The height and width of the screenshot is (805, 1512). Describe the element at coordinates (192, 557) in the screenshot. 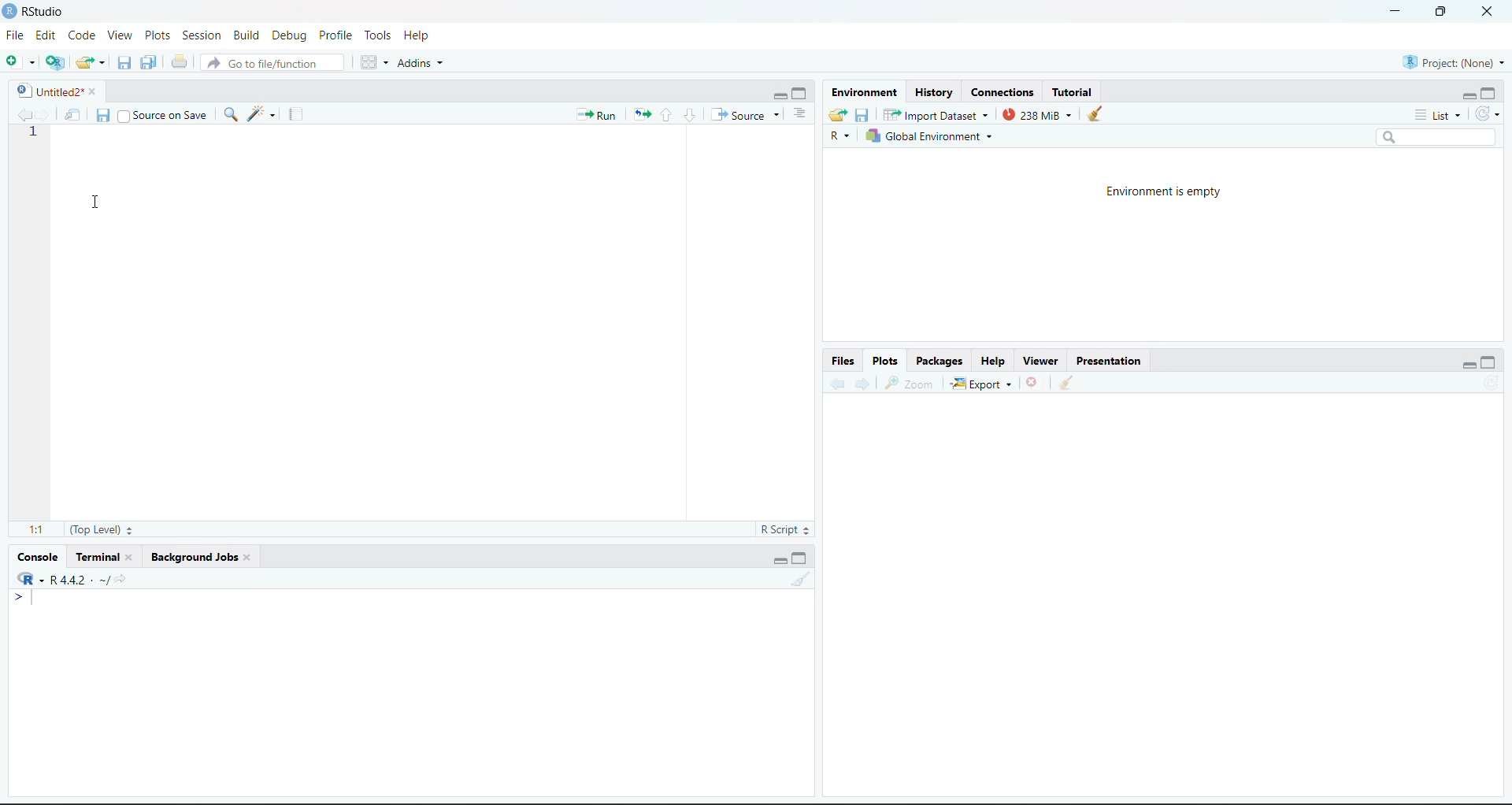

I see `Background Jobs` at that location.